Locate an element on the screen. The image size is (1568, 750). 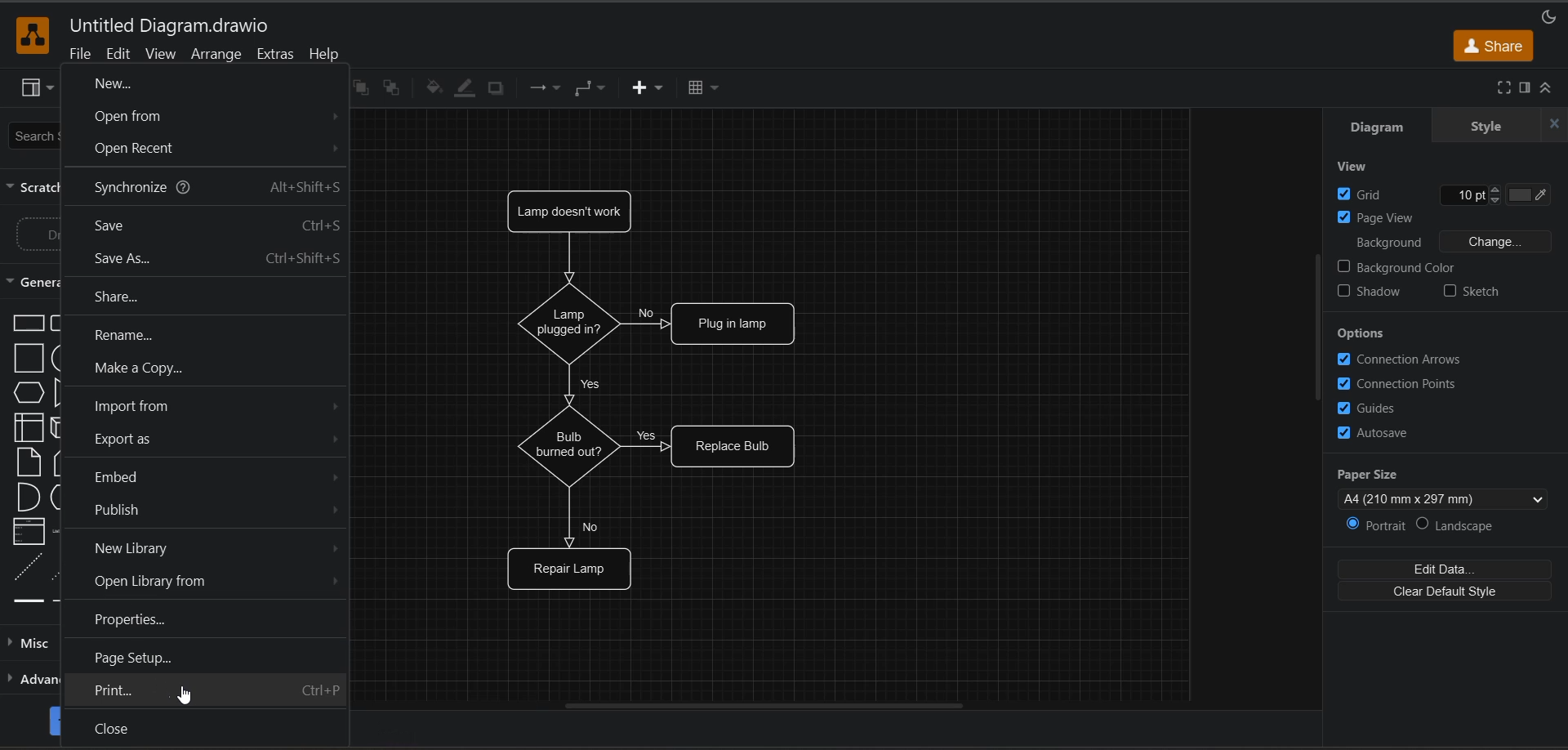
view is located at coordinates (1357, 165).